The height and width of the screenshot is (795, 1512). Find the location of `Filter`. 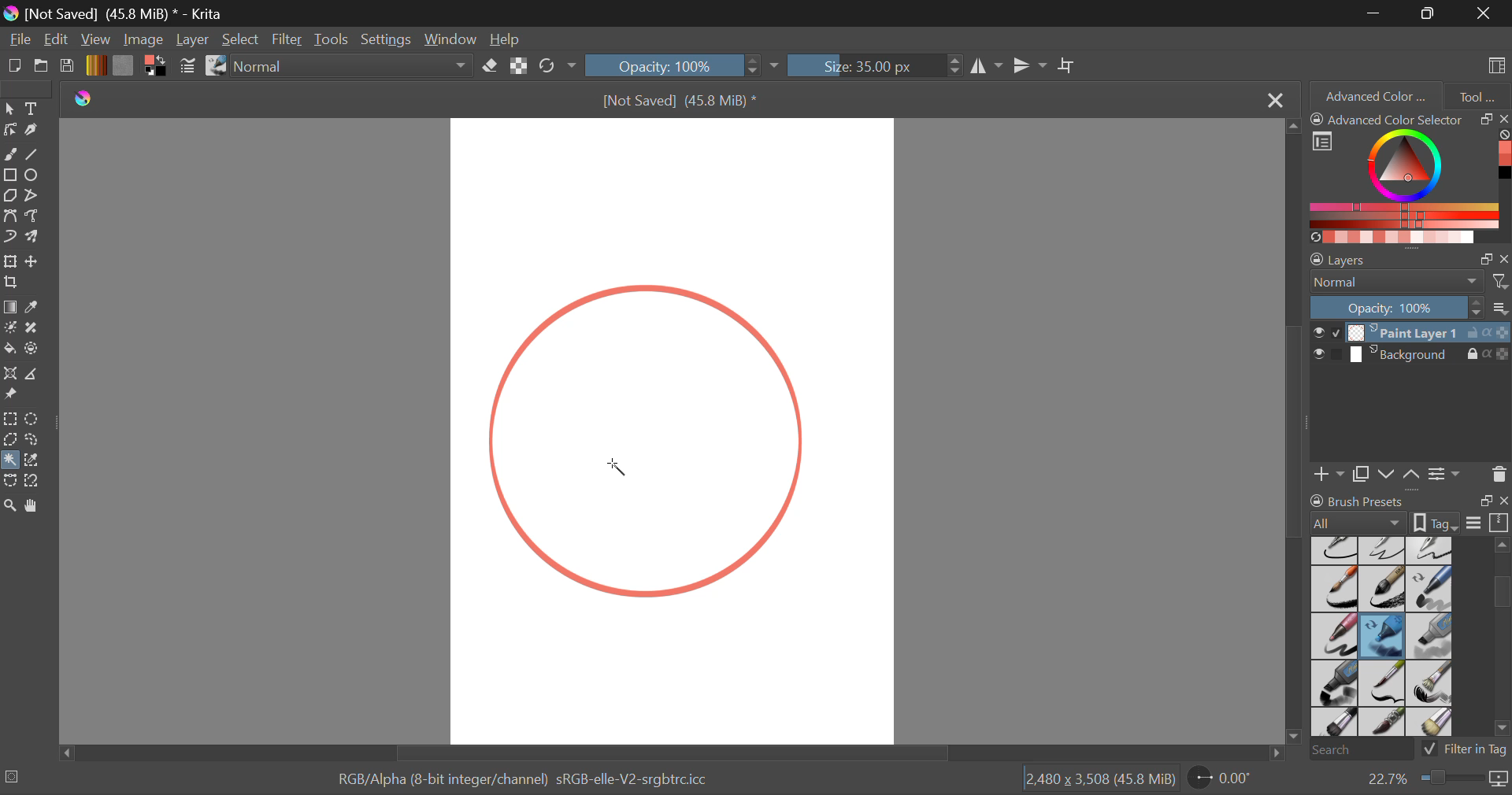

Filter is located at coordinates (289, 40).